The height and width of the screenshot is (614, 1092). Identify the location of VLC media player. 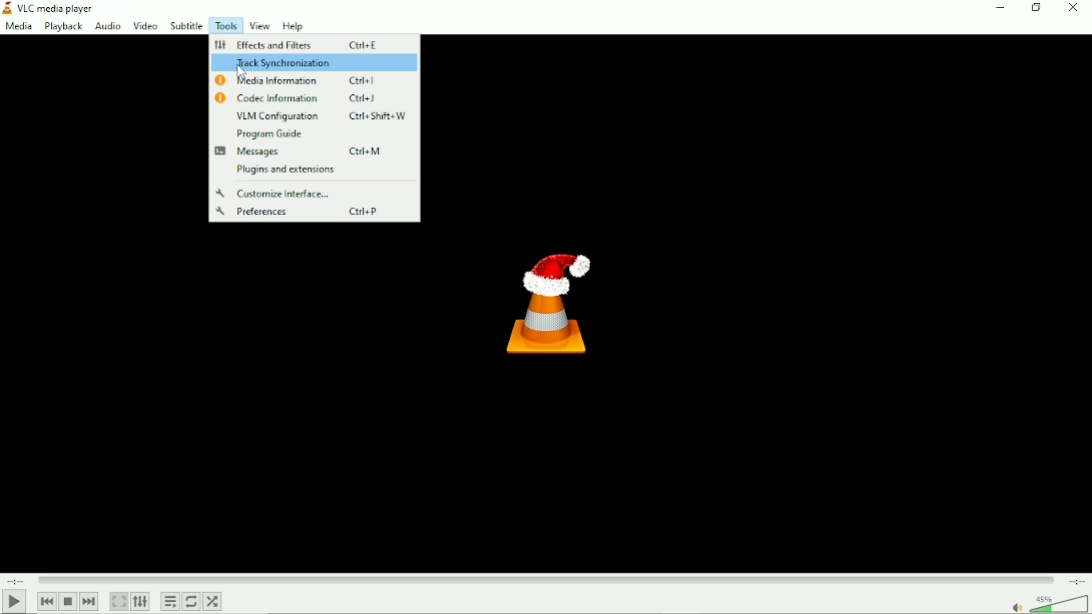
(50, 8).